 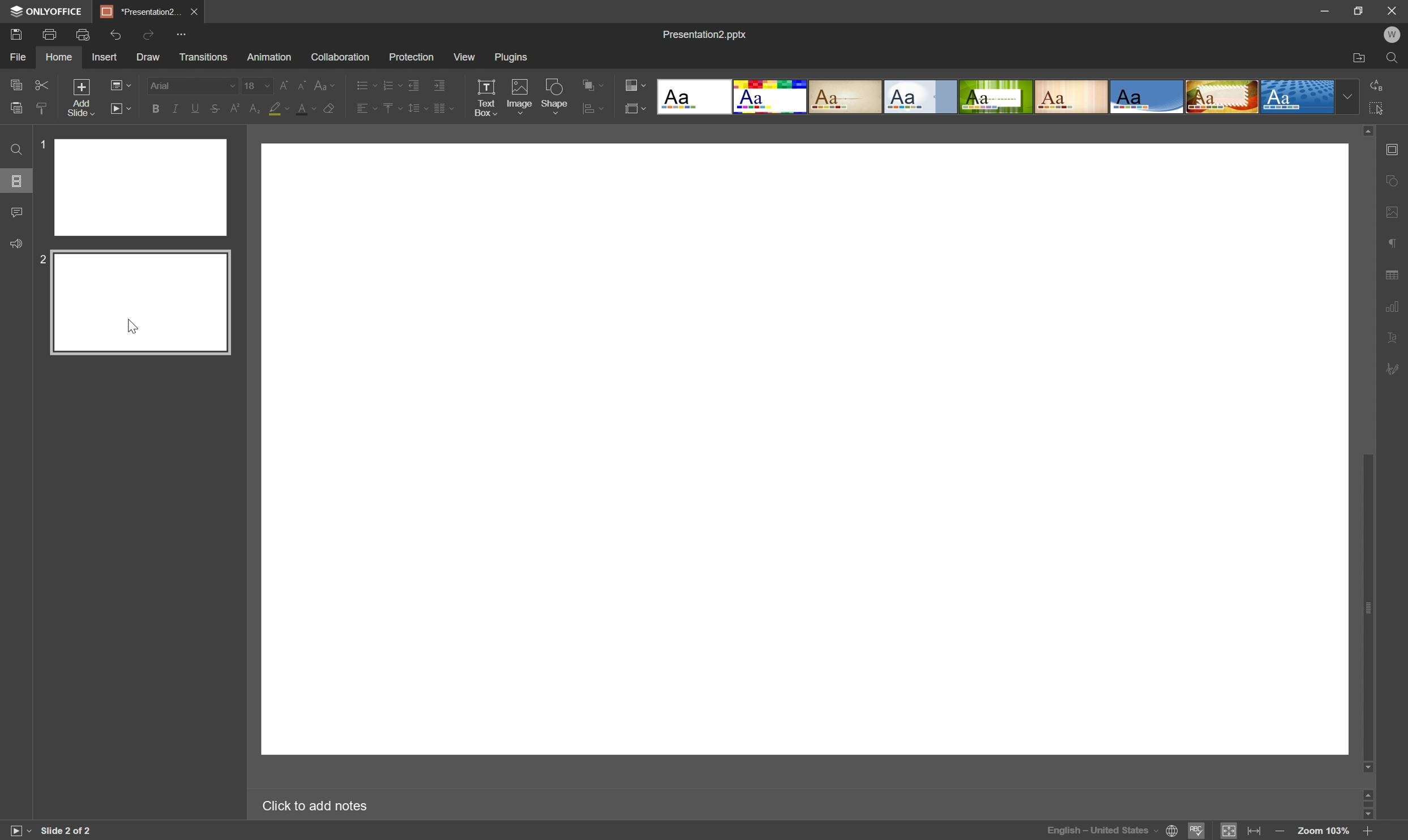 What do you see at coordinates (1390, 9) in the screenshot?
I see `Close` at bounding box center [1390, 9].